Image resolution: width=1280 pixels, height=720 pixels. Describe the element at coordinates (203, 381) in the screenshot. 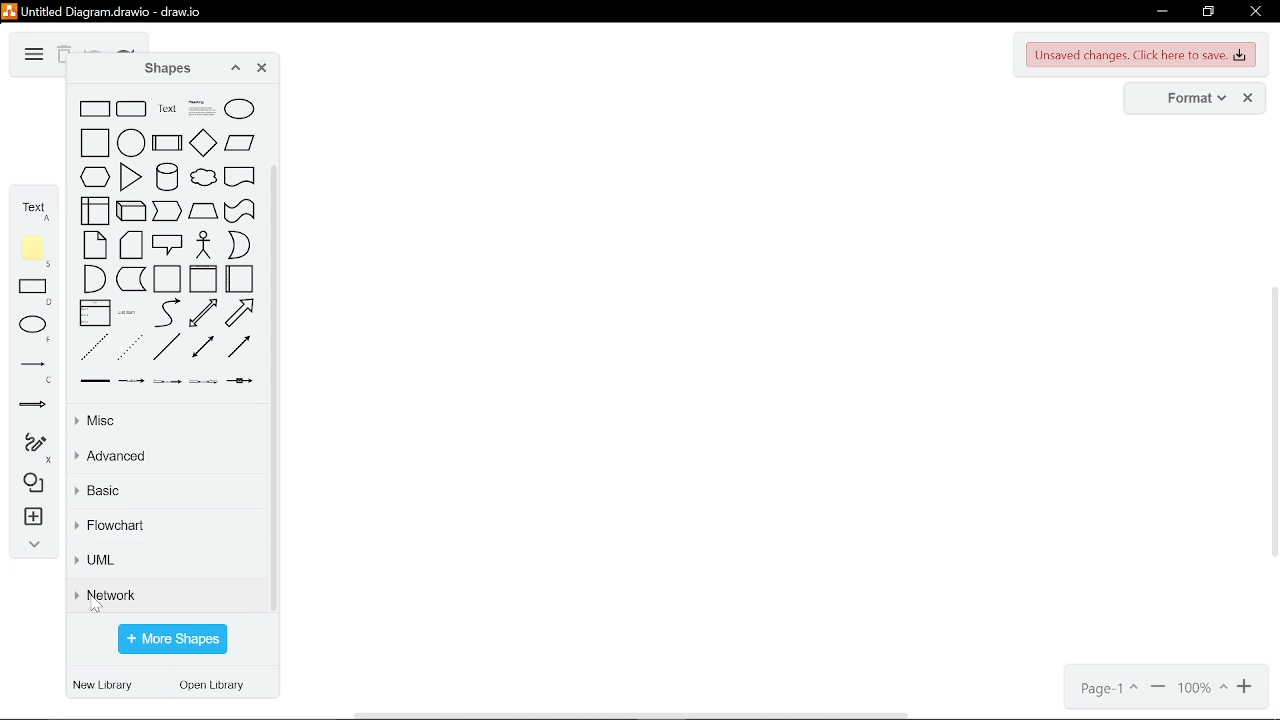

I see `connector with 3 labels` at that location.